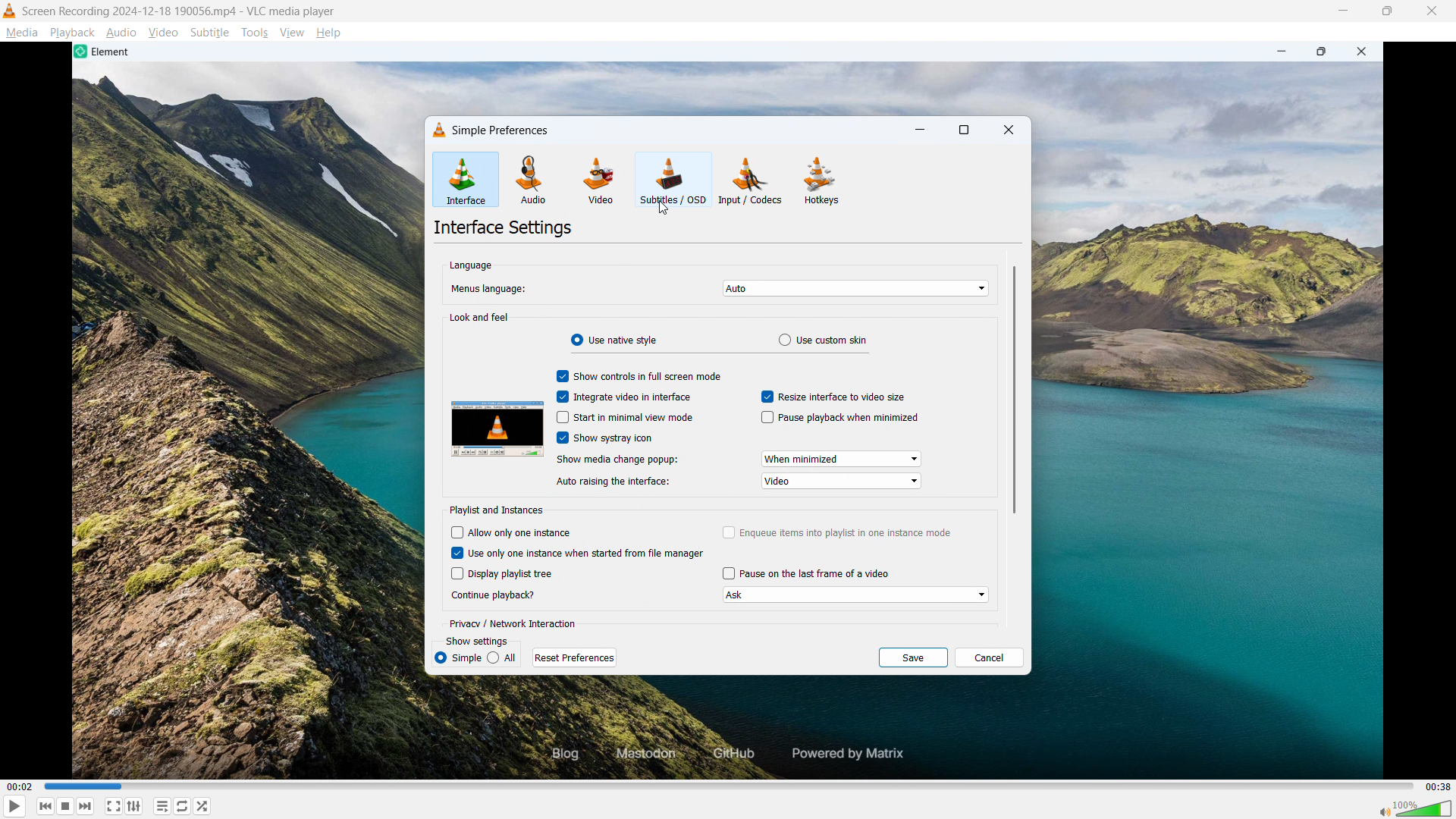 The image size is (1456, 819). What do you see at coordinates (821, 182) in the screenshot?
I see `Hot keys ` at bounding box center [821, 182].